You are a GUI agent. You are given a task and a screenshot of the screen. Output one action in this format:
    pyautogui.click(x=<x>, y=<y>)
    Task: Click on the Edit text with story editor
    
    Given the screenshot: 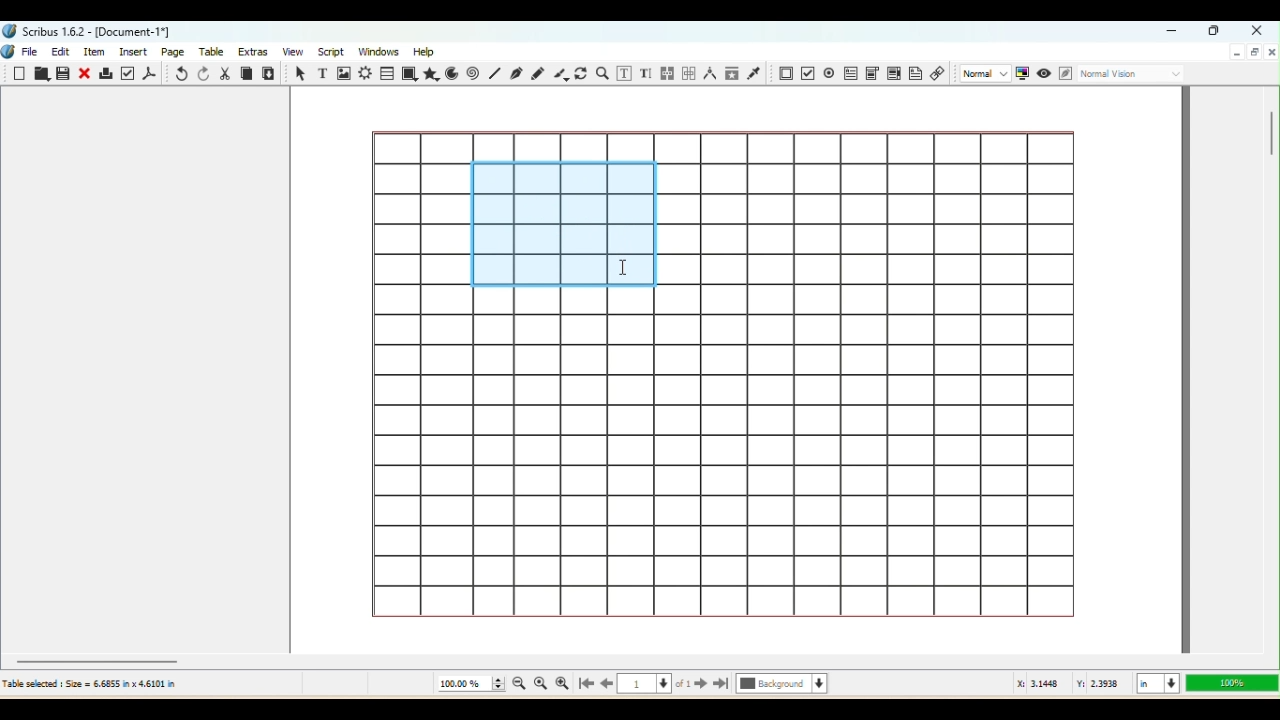 What is the action you would take?
    pyautogui.click(x=647, y=73)
    